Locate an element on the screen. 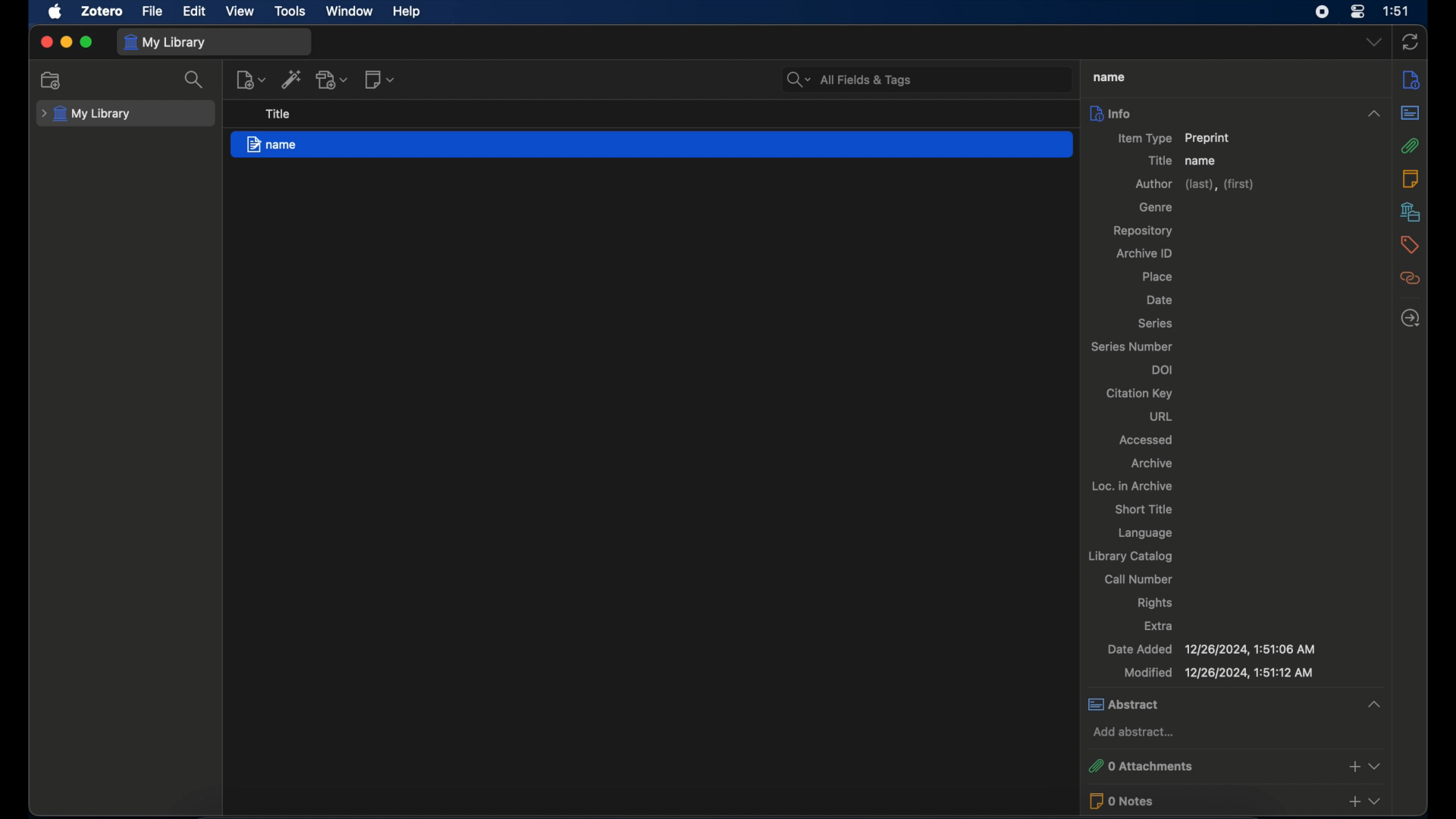 This screenshot has height=819, width=1456. maximize is located at coordinates (86, 43).